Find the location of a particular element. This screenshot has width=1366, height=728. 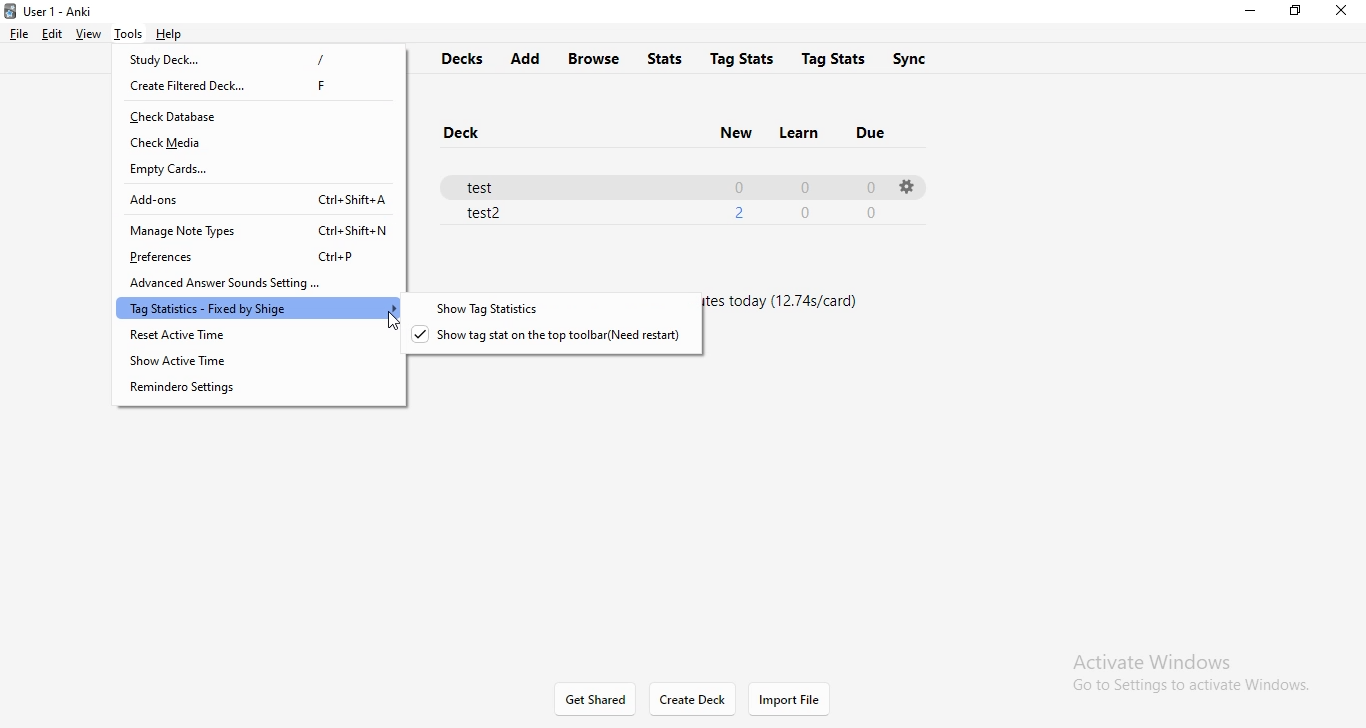

add is located at coordinates (531, 58).